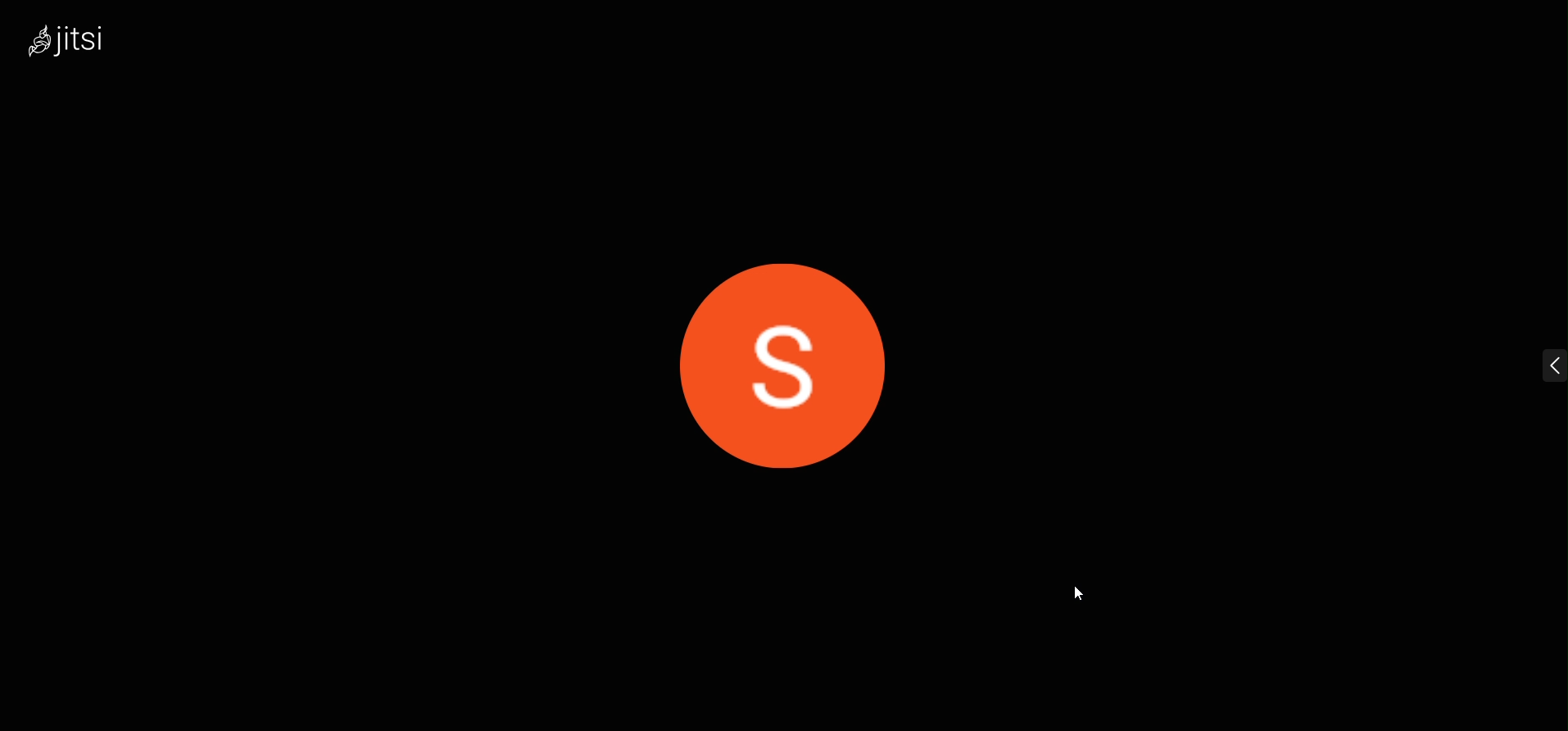 Image resolution: width=1568 pixels, height=731 pixels. I want to click on cursor, so click(1087, 602).